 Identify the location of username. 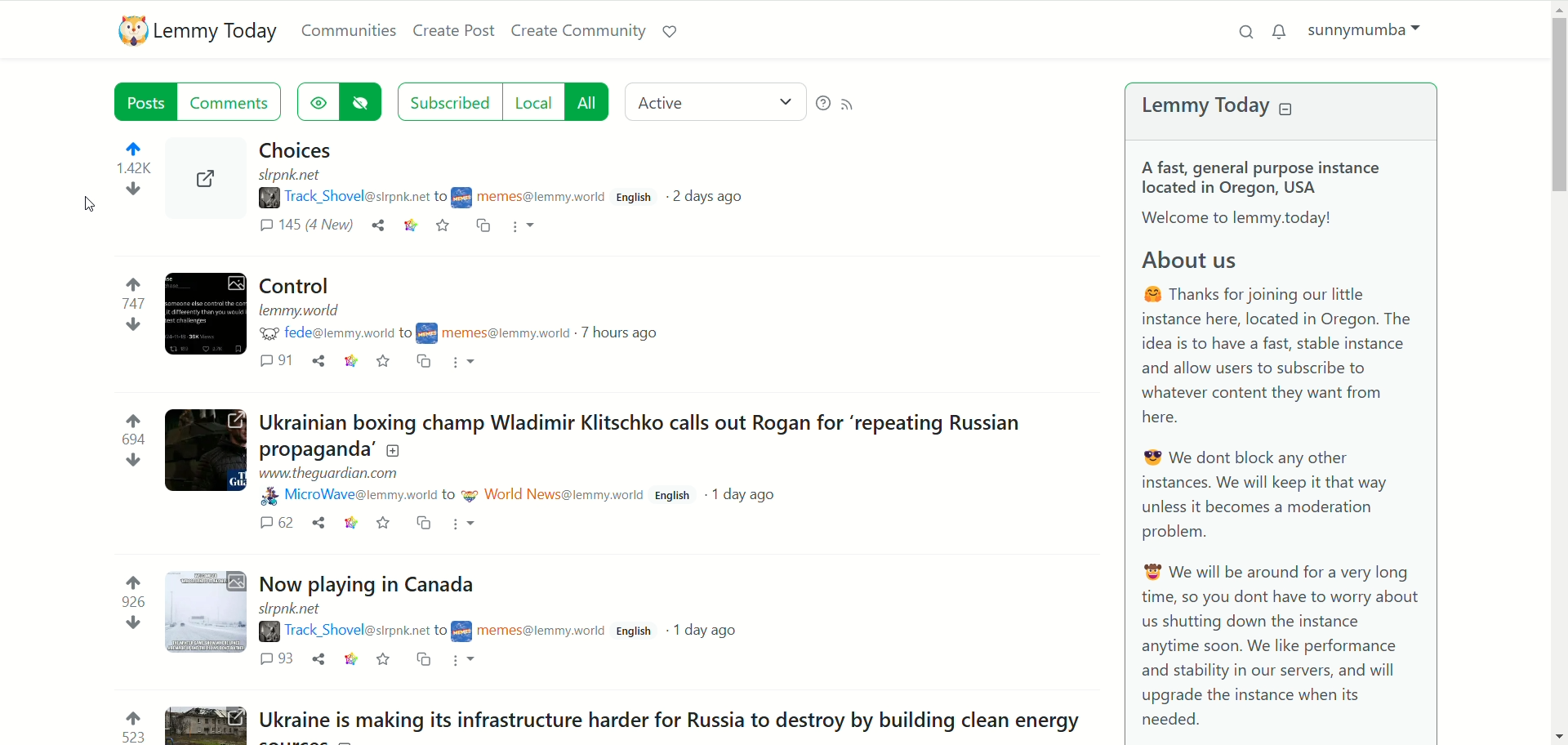
(509, 331).